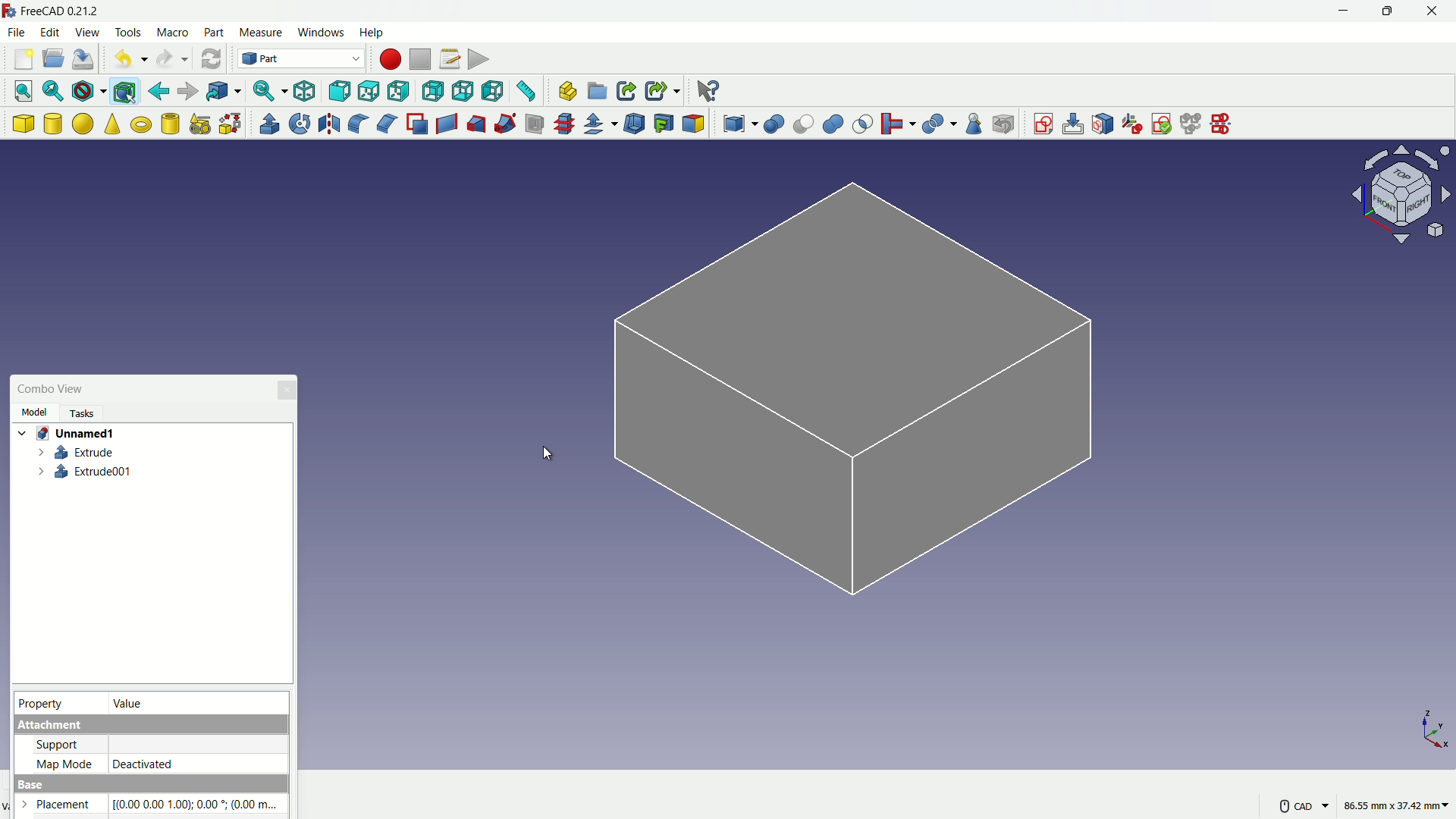 The height and width of the screenshot is (819, 1456). What do you see at coordinates (173, 33) in the screenshot?
I see `macro` at bounding box center [173, 33].